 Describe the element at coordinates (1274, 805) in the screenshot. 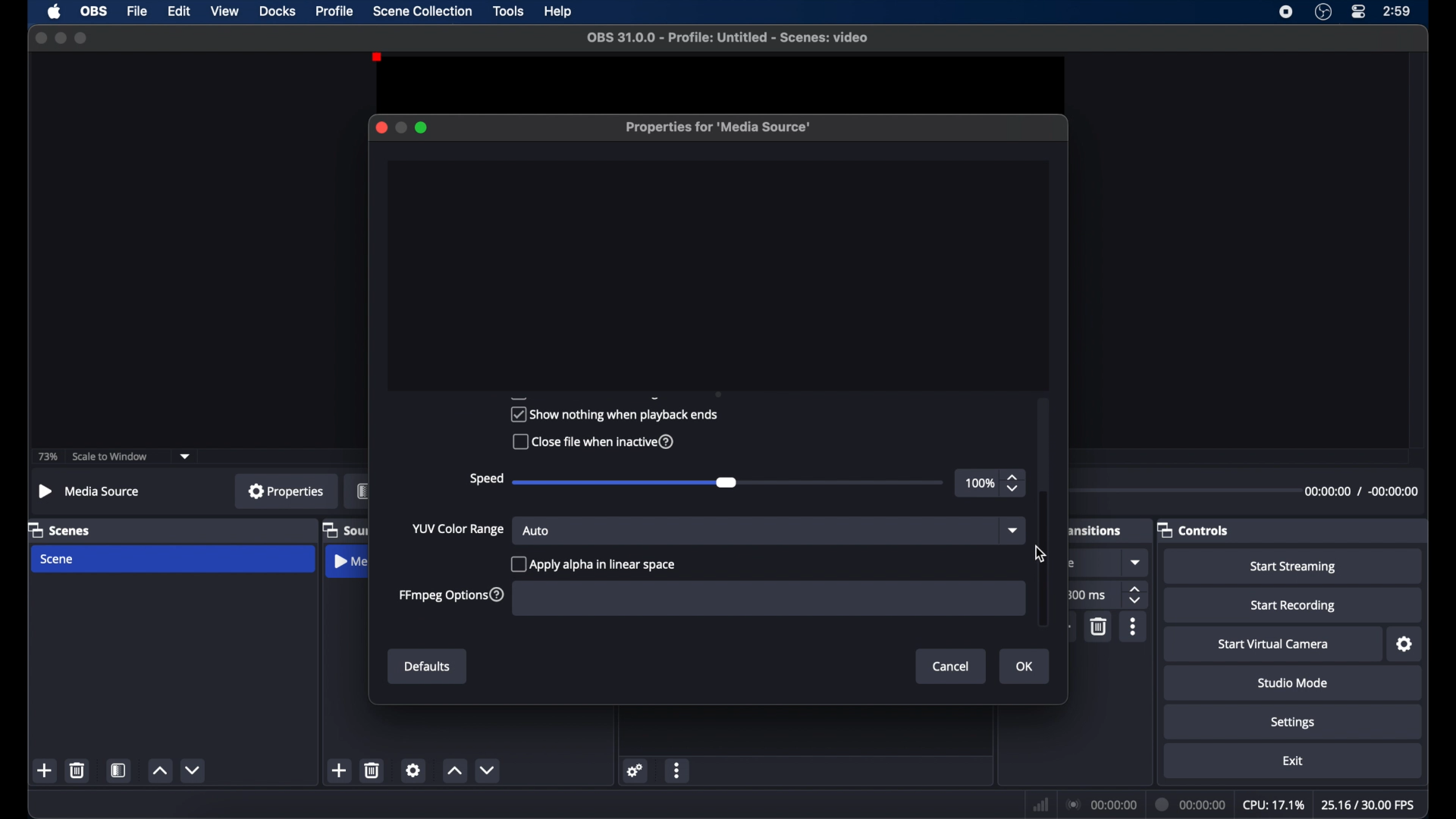

I see `cpu` at that location.